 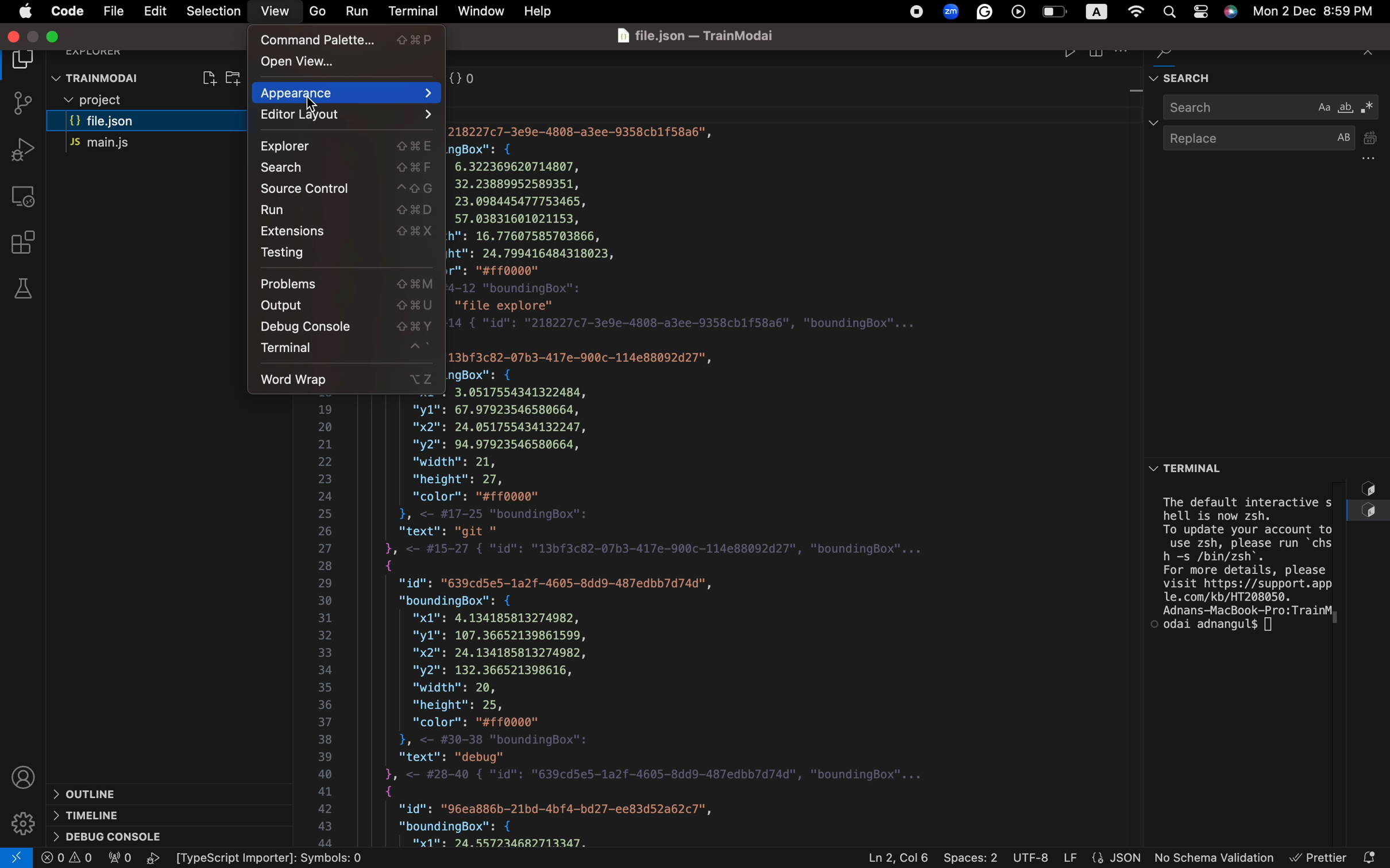 I want to click on Appearance , so click(x=350, y=93).